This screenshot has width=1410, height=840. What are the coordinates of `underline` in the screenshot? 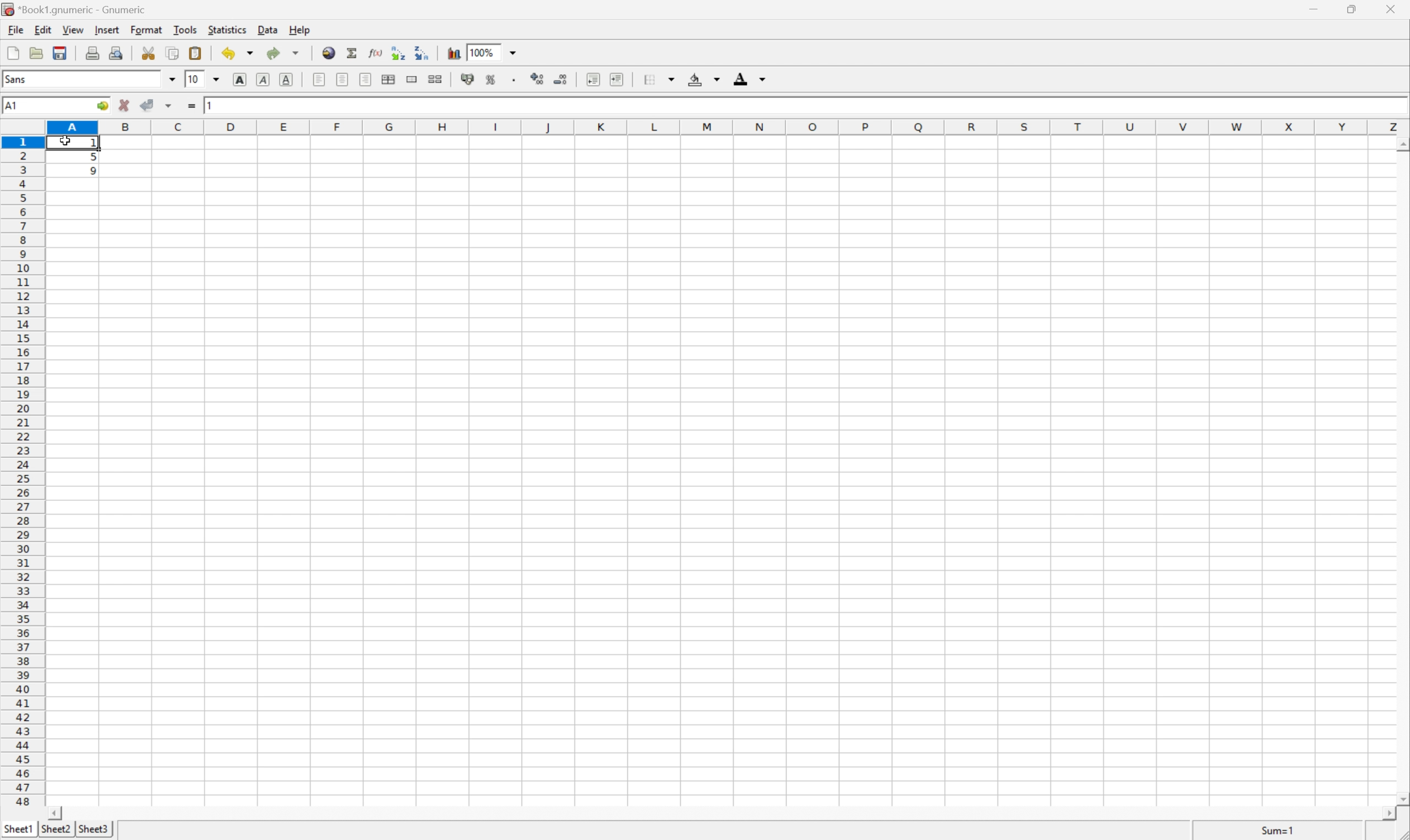 It's located at (288, 80).